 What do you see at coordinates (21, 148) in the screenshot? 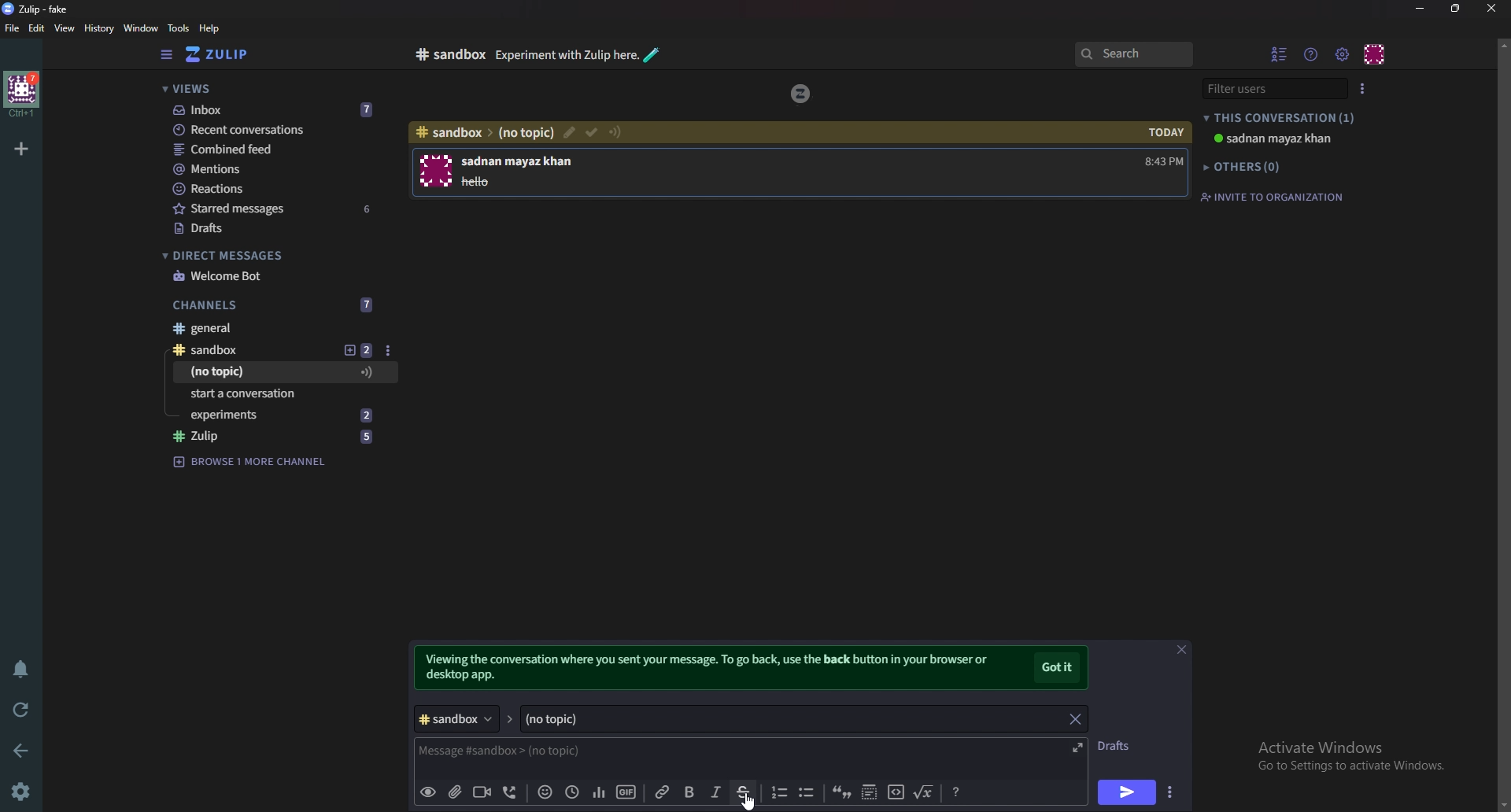
I see `Add organization` at bounding box center [21, 148].